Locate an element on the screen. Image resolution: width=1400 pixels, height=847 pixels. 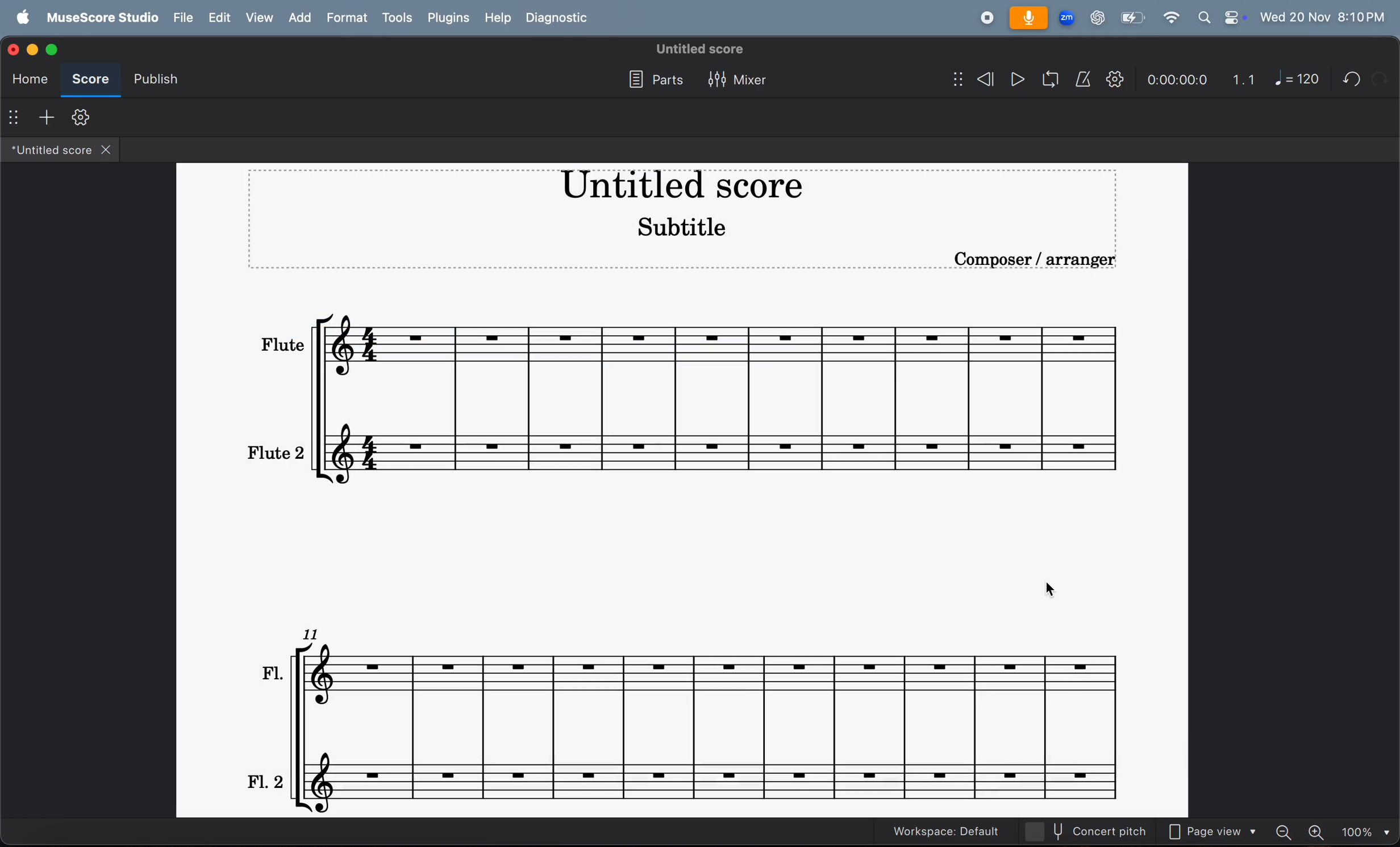
undo is located at coordinates (1349, 79).